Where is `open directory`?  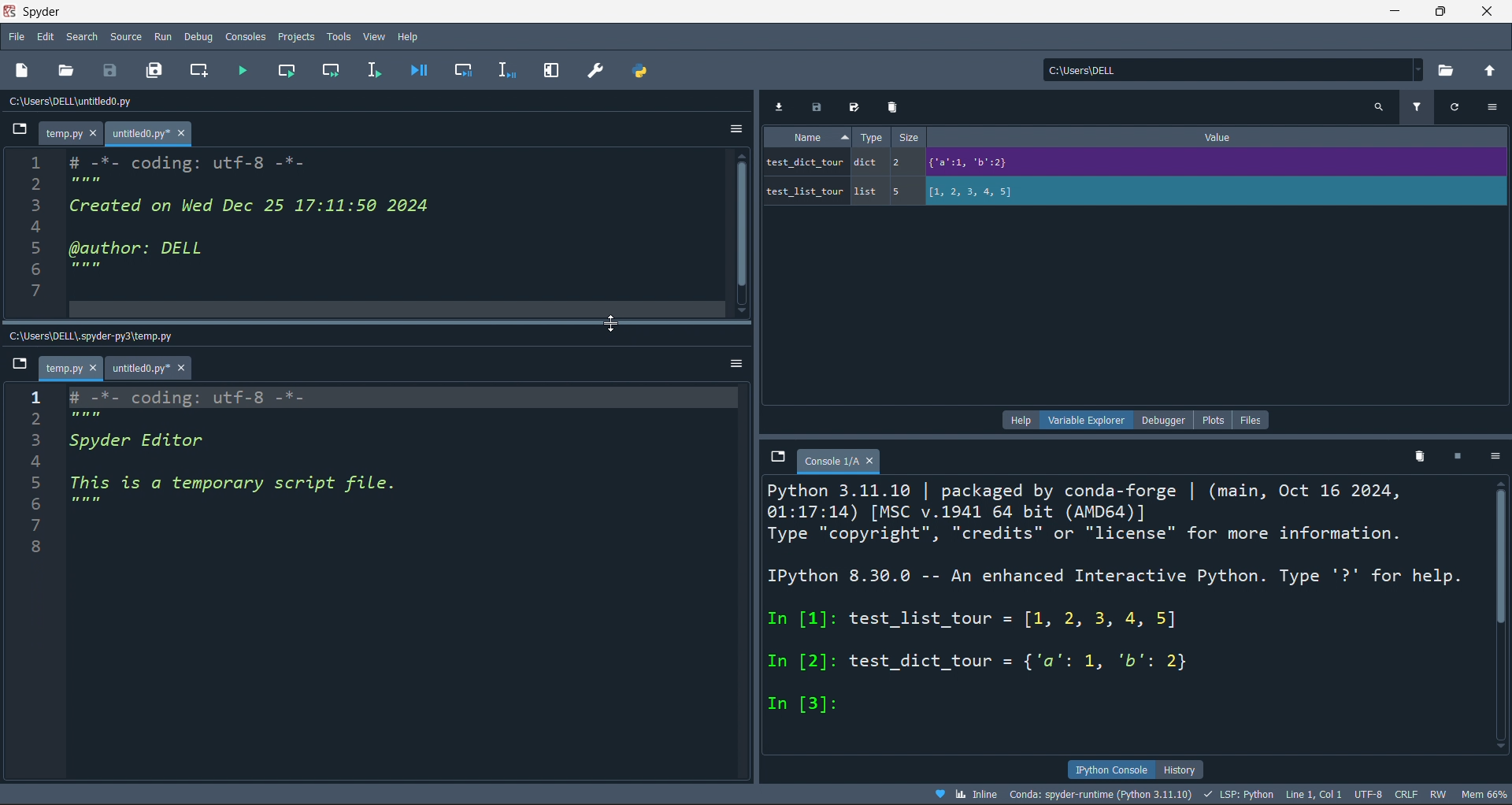 open directory is located at coordinates (1493, 71).